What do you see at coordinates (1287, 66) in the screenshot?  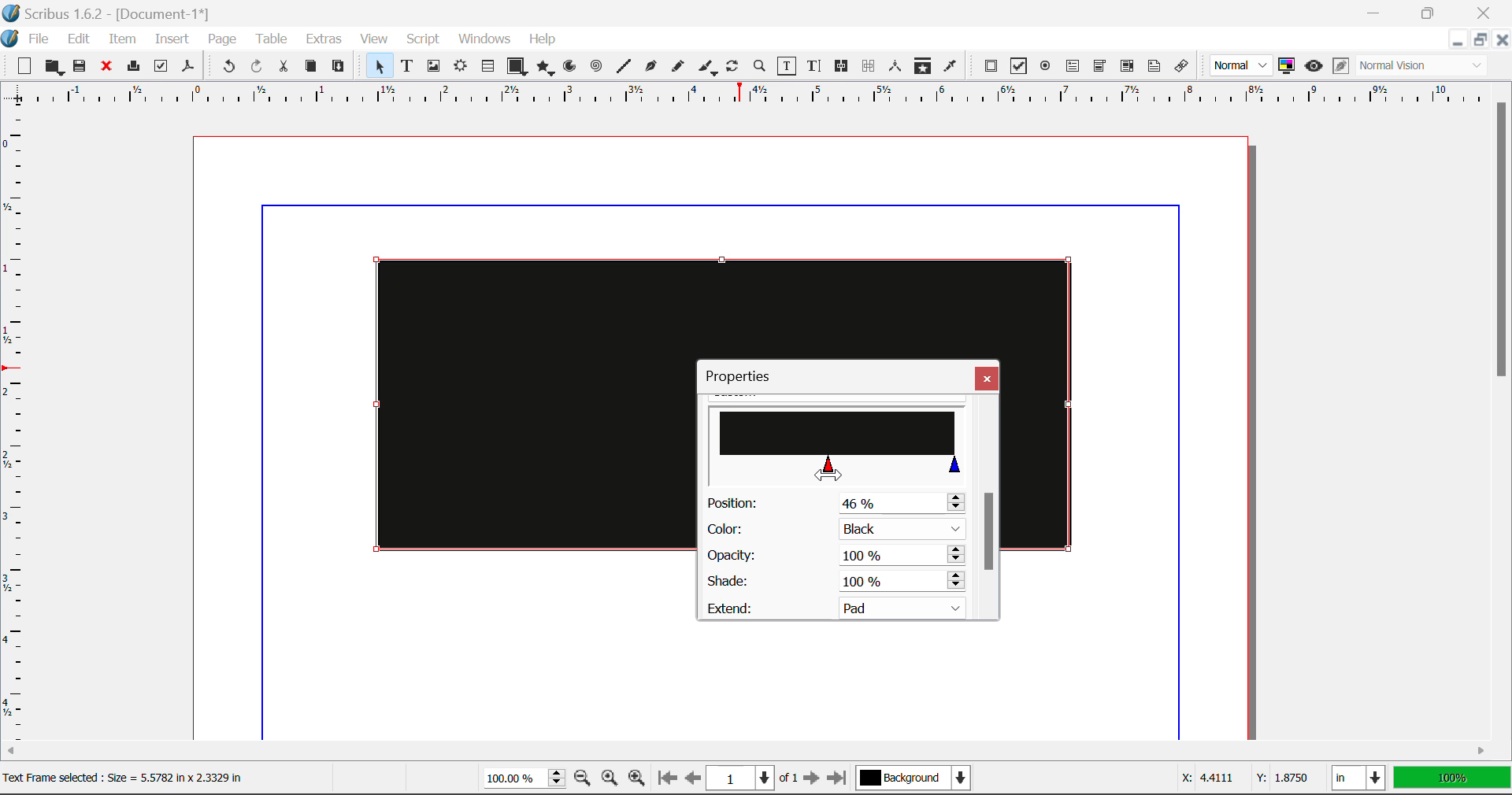 I see `Toggle Color Management` at bounding box center [1287, 66].